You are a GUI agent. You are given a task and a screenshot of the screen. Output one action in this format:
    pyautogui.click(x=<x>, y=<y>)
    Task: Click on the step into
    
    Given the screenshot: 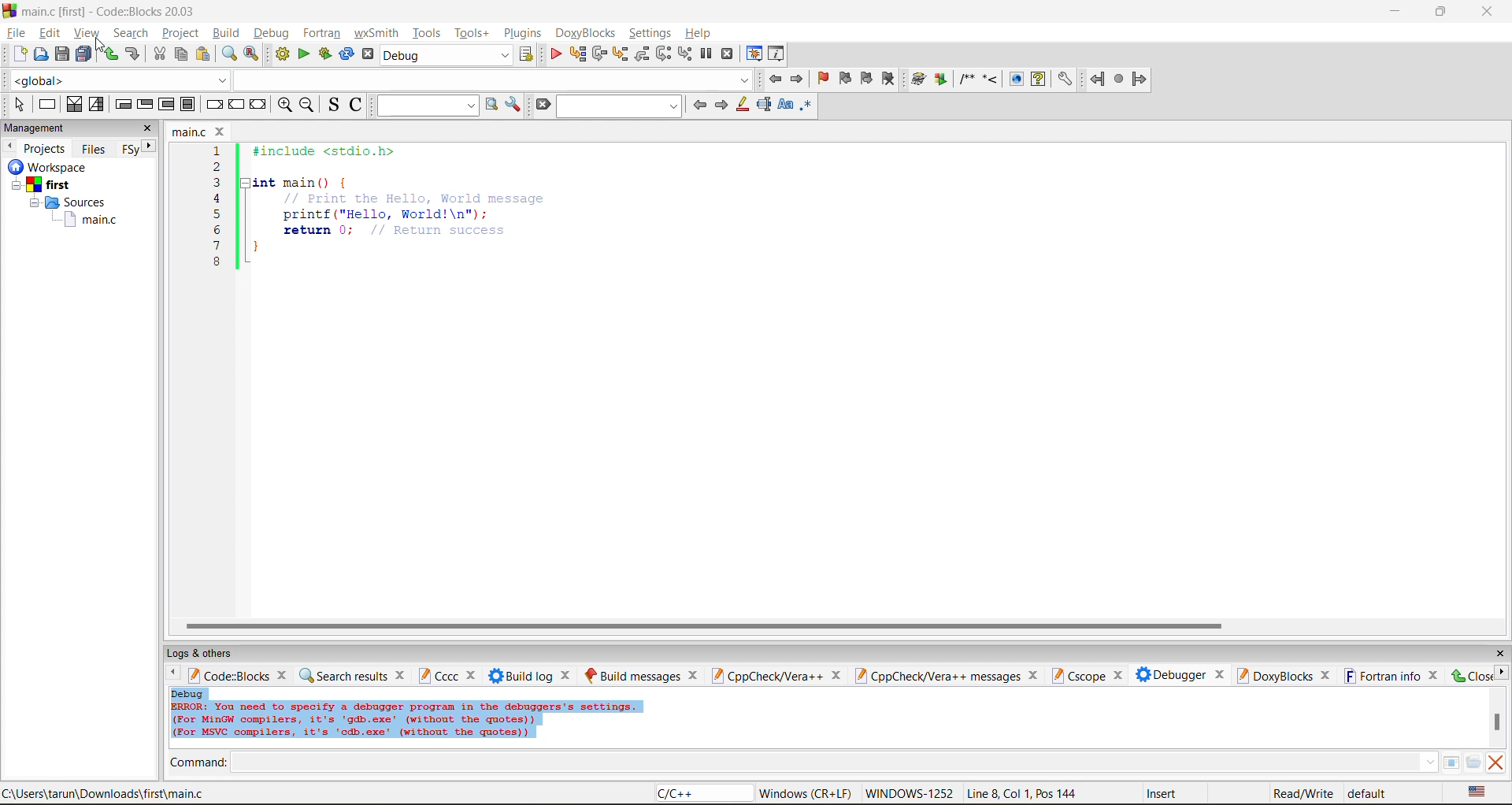 What is the action you would take?
    pyautogui.click(x=624, y=55)
    